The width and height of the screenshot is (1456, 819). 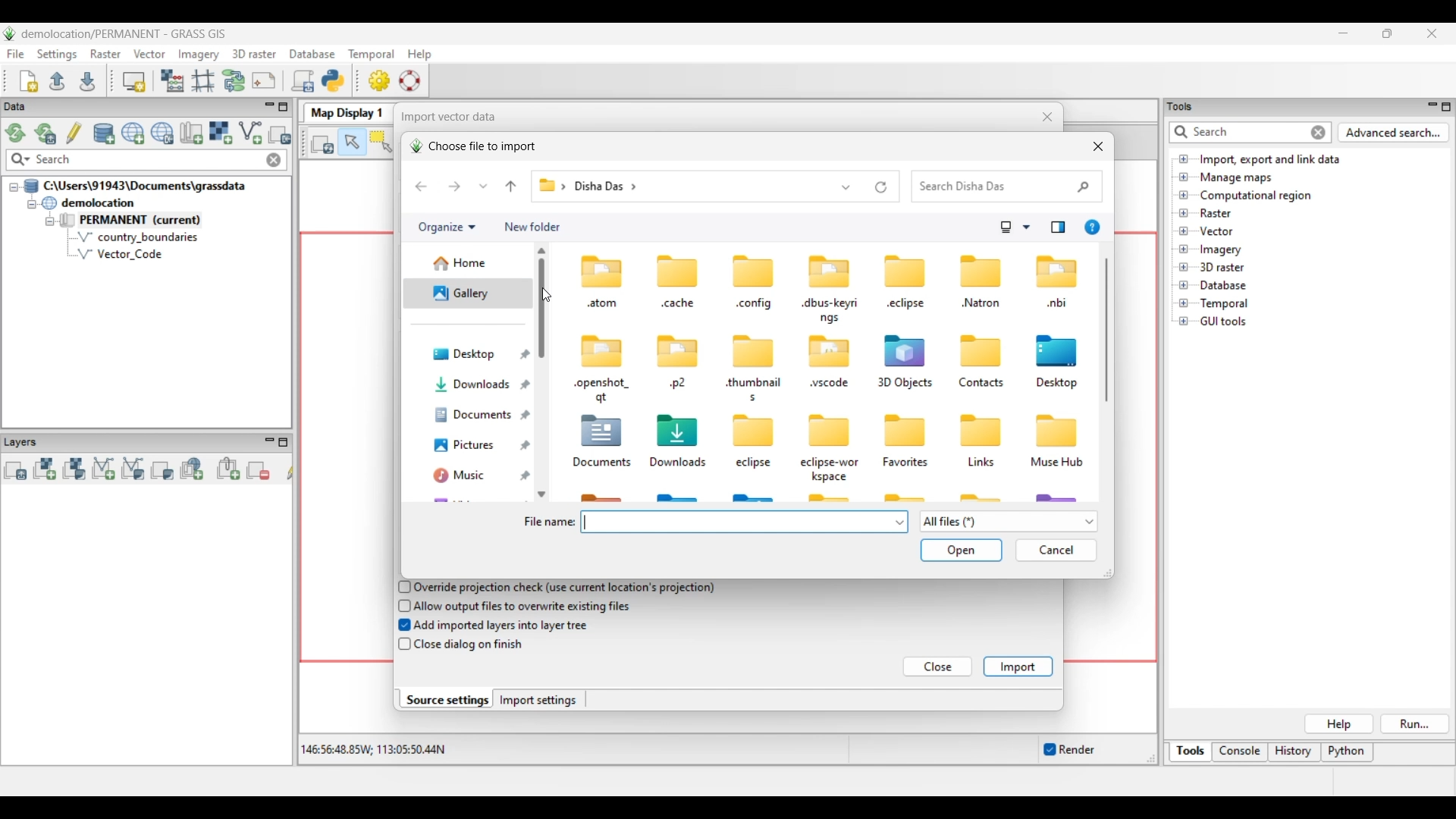 I want to click on Import settings, so click(x=538, y=700).